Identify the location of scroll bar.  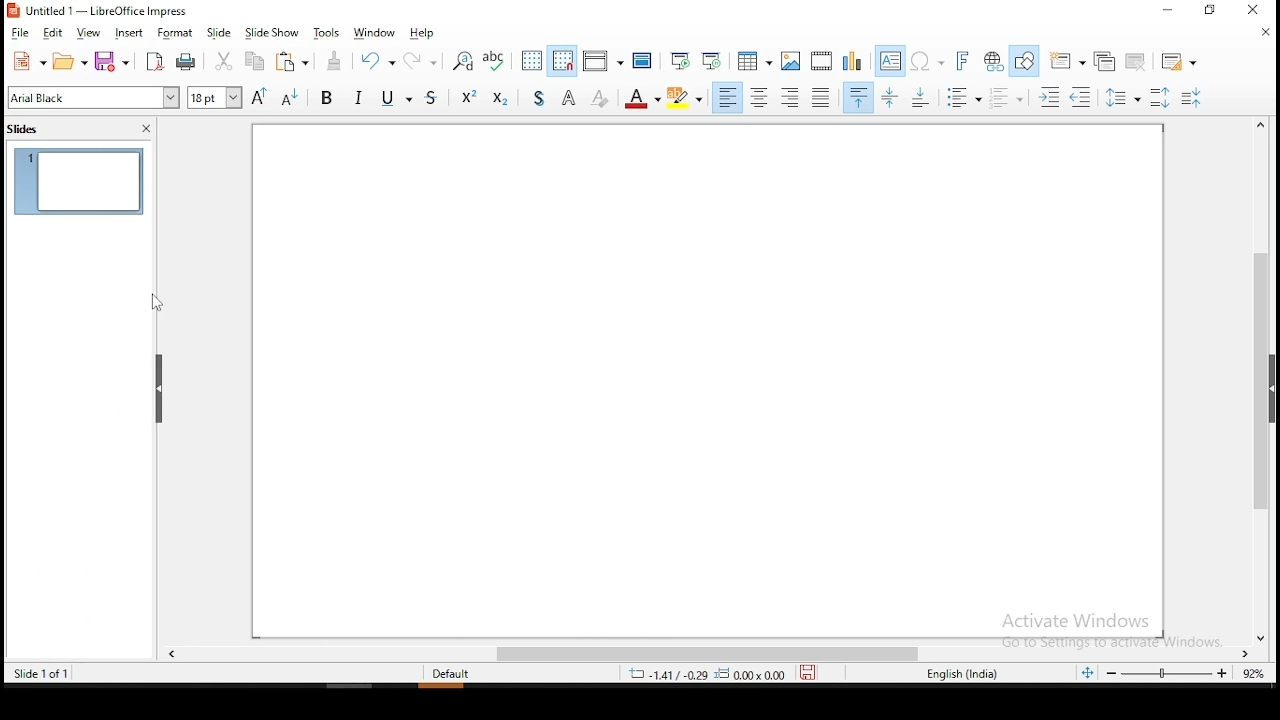
(1268, 380).